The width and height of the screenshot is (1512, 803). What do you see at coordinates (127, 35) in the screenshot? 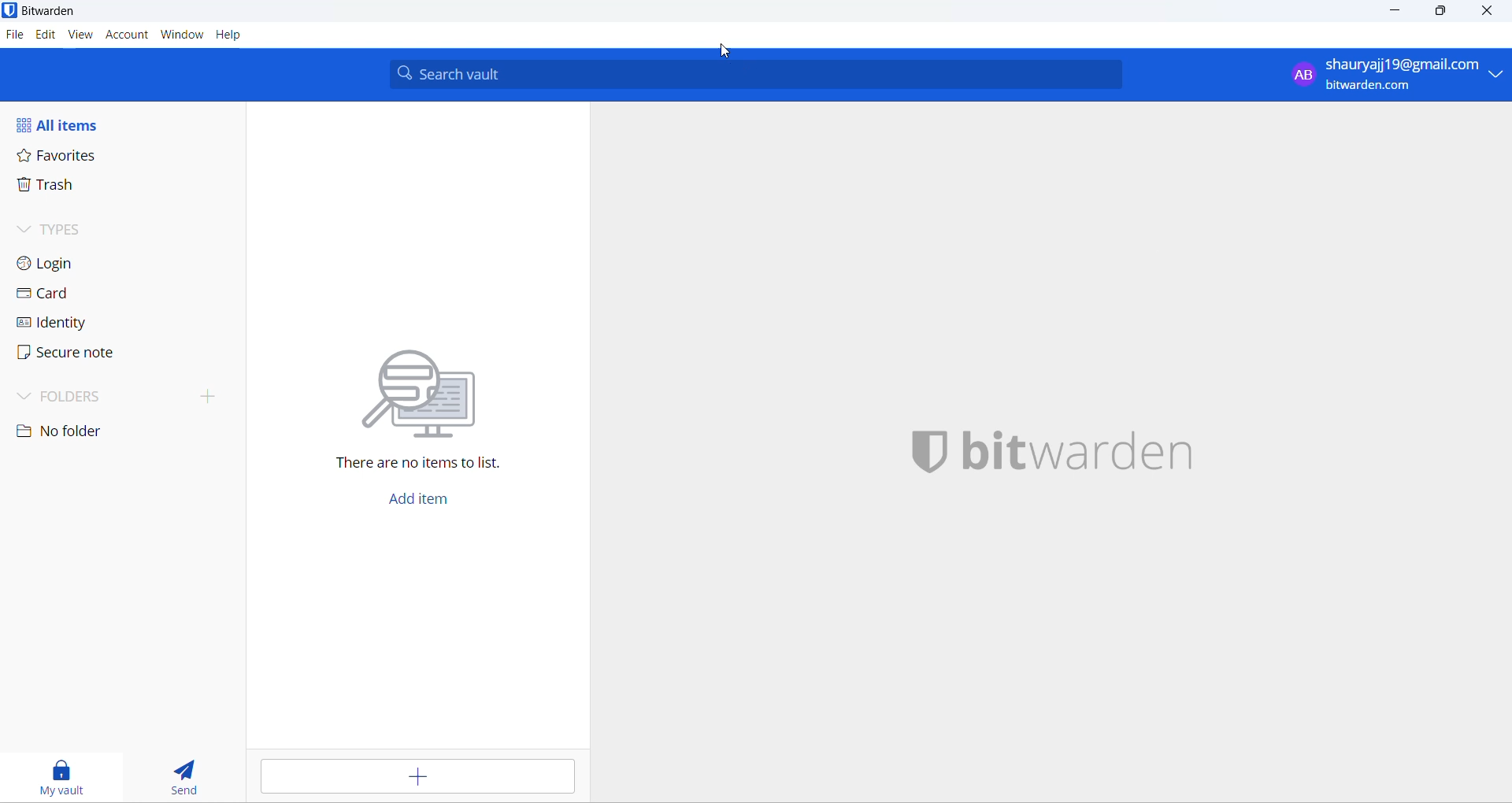
I see `account` at bounding box center [127, 35].